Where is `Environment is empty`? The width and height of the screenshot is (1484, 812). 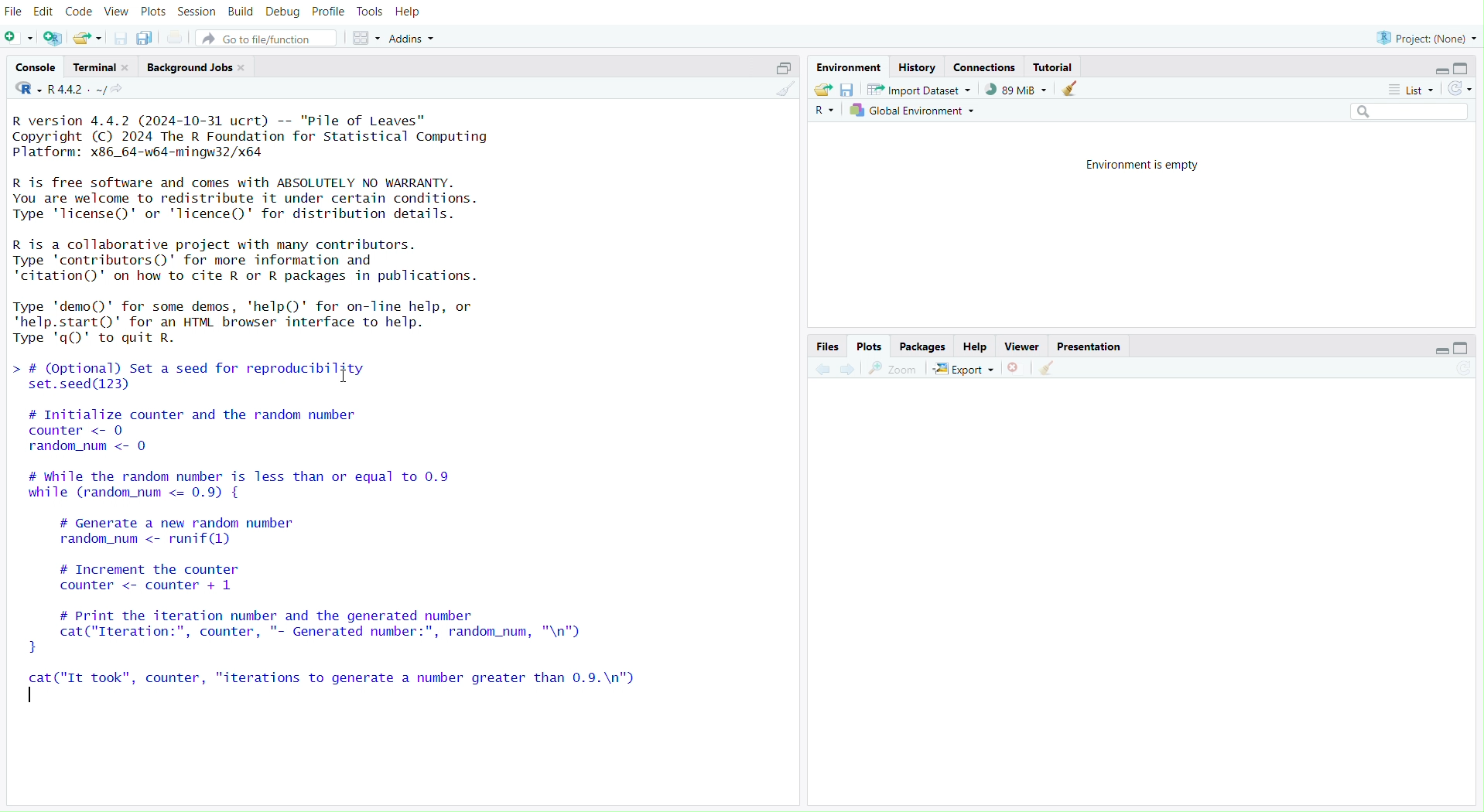
Environment is empty is located at coordinates (1149, 164).